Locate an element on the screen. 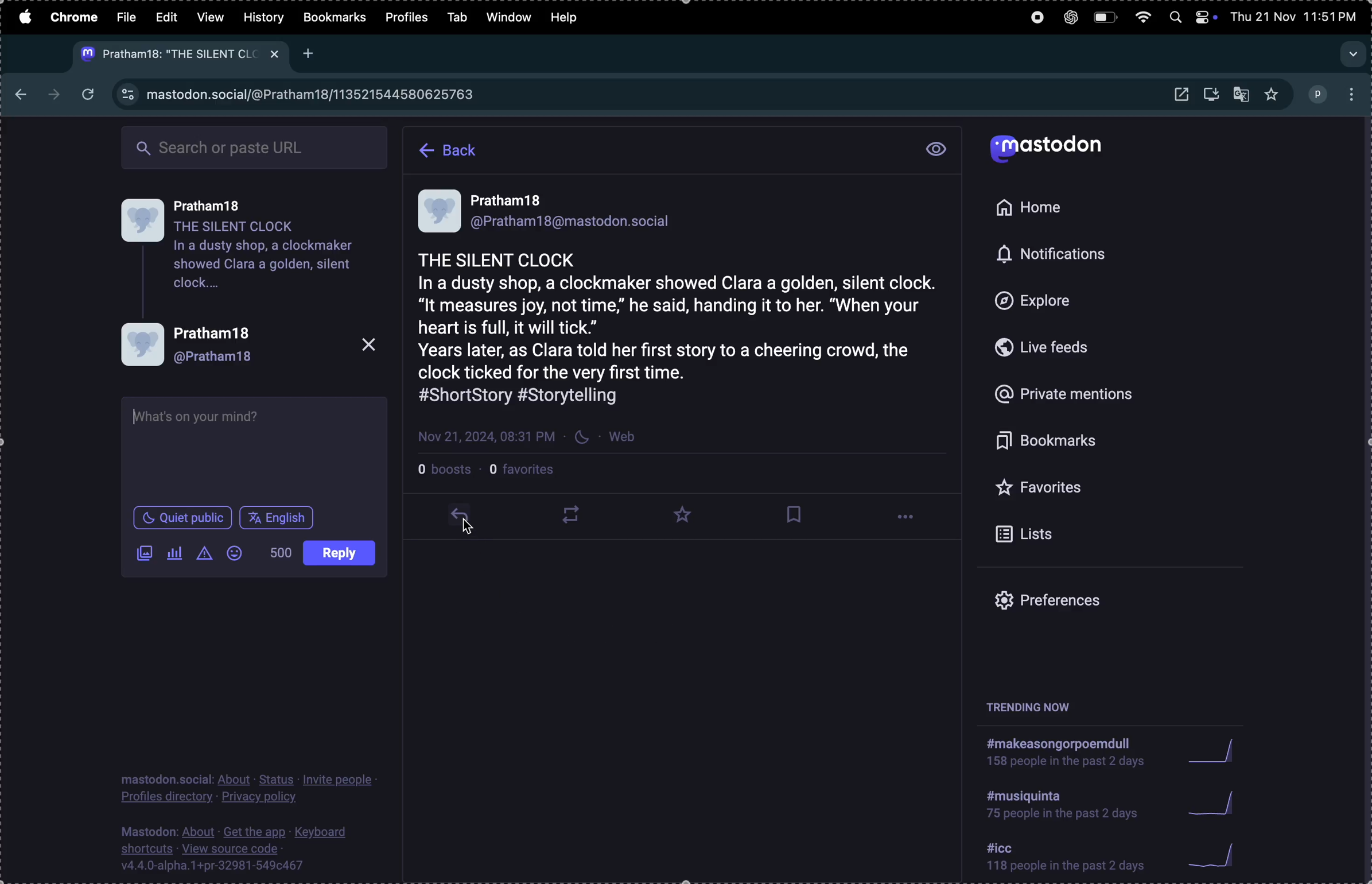 The image size is (1372, 884). backward is located at coordinates (17, 90).